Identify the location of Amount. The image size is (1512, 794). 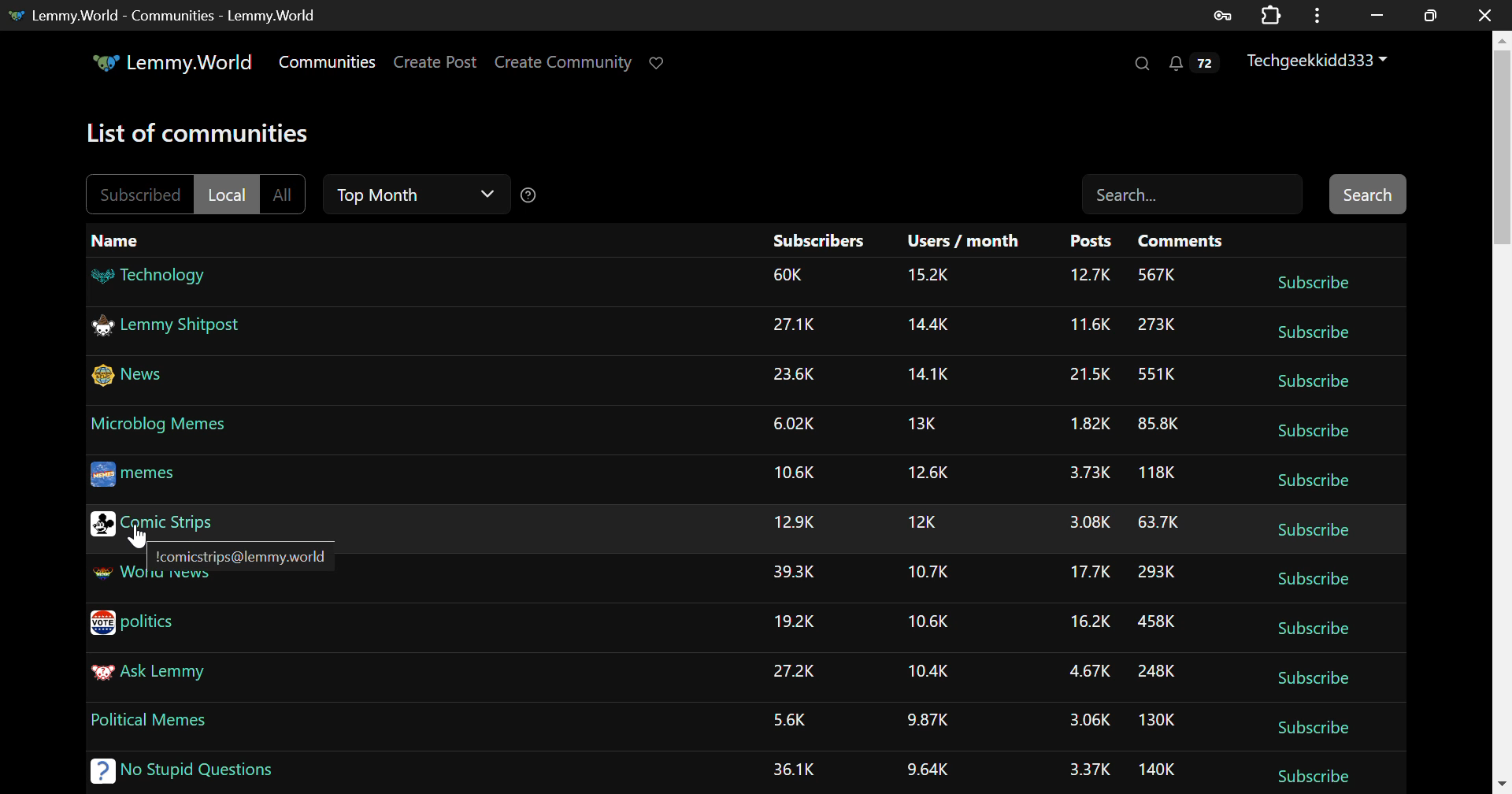
(1158, 274).